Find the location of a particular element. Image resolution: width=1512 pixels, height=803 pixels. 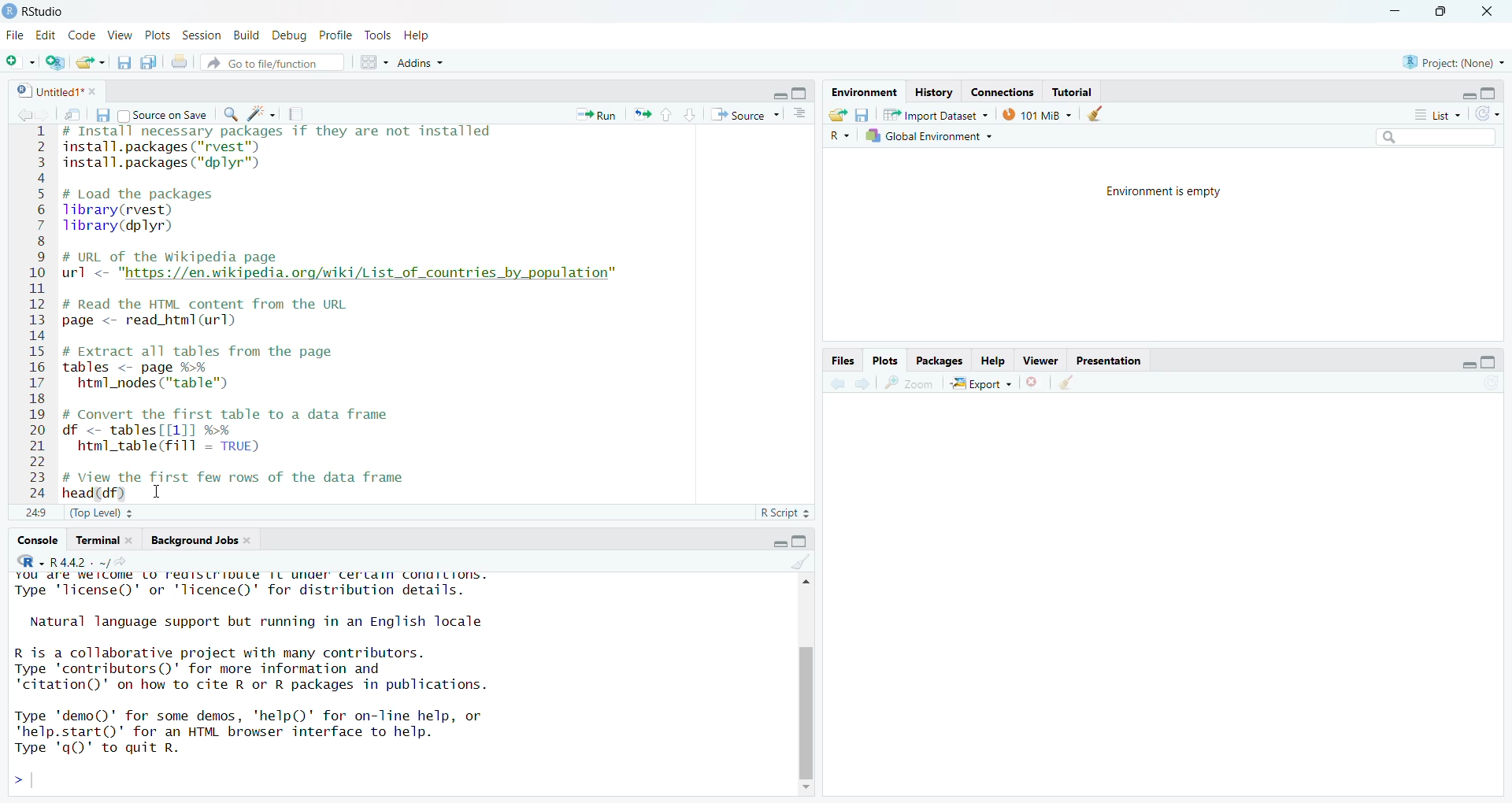

down is located at coordinates (691, 115).